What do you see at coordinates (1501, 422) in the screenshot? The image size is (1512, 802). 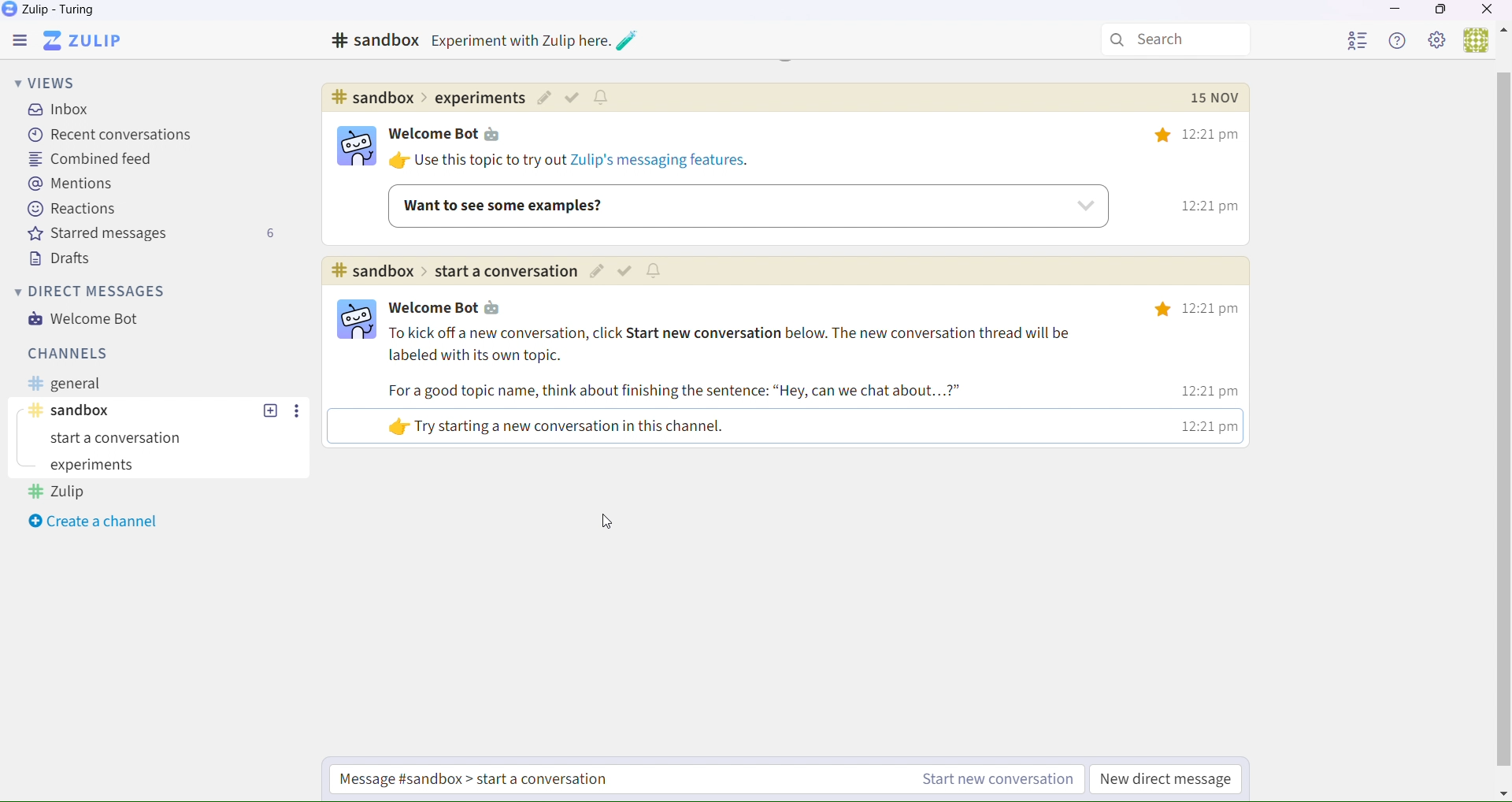 I see `horizontal scroll bar` at bounding box center [1501, 422].